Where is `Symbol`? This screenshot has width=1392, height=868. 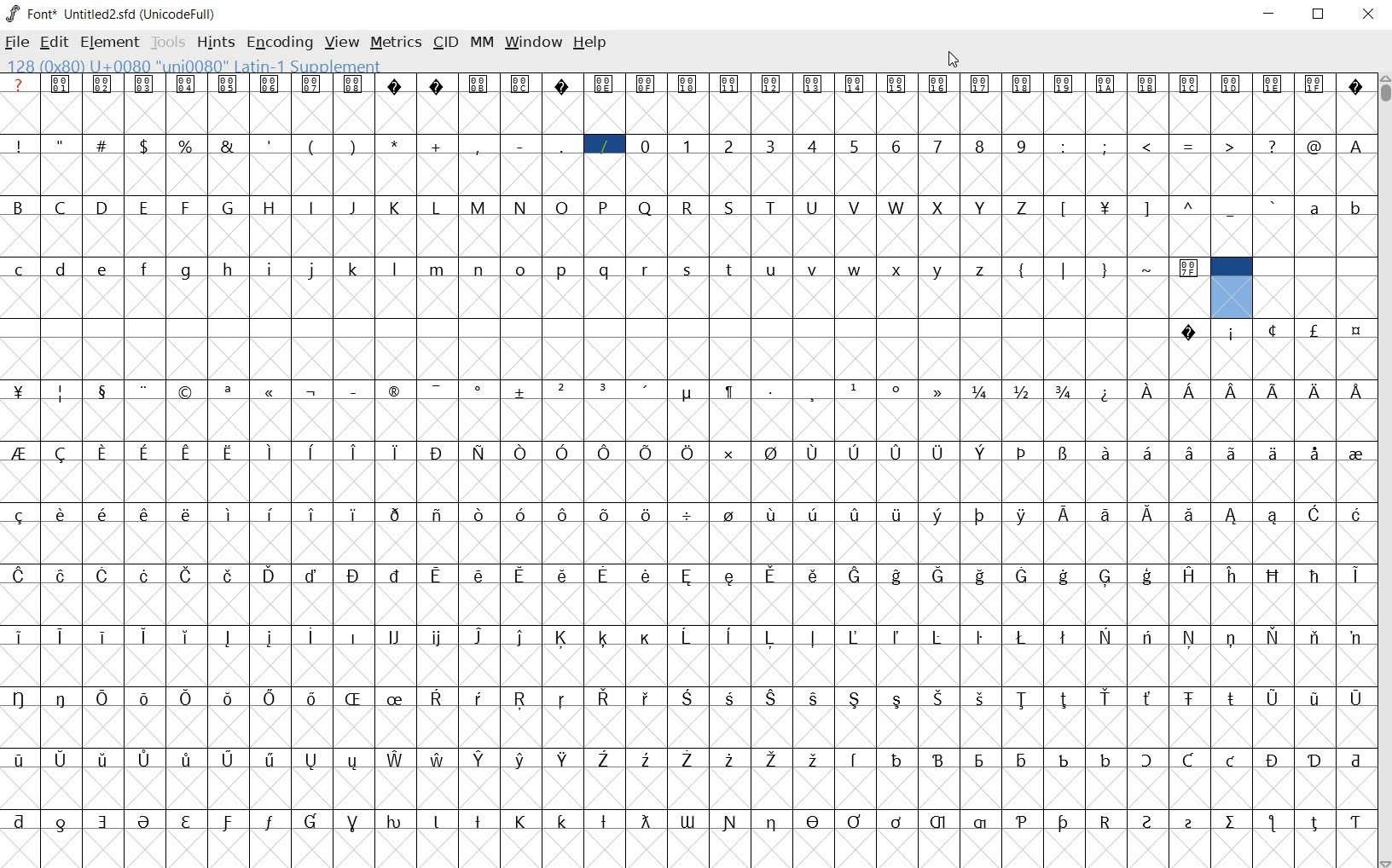
Symbol is located at coordinates (1314, 822).